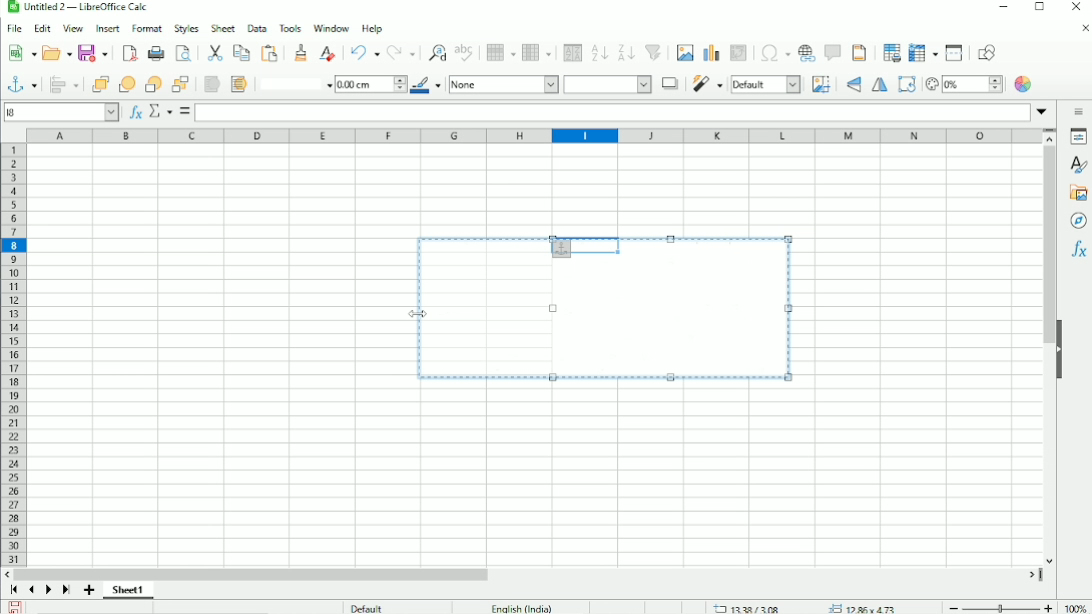 This screenshot has height=614, width=1092. I want to click on Gallery, so click(1077, 193).